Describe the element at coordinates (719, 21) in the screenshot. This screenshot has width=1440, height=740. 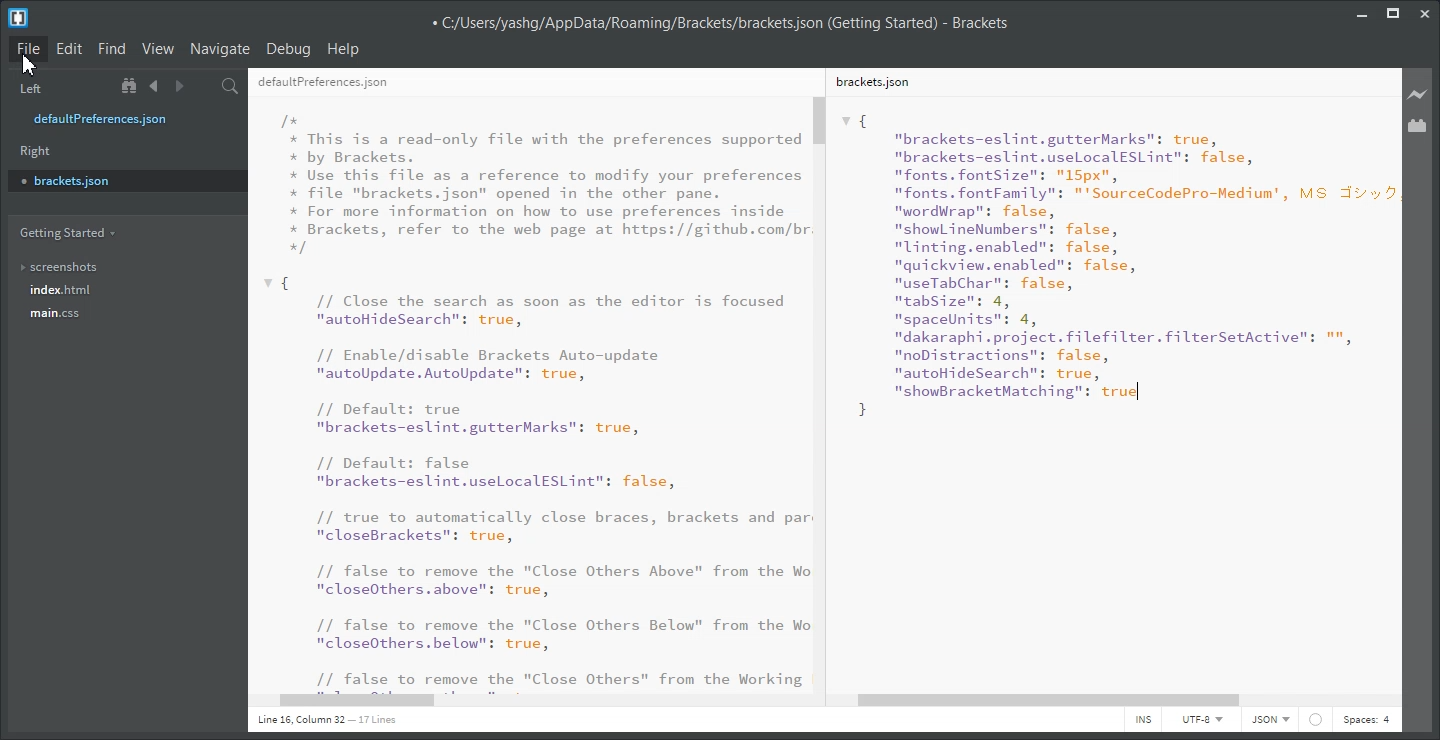
I see `C:/Users/yashg/AppData/Roaming/Brackets/brackets json (Getting Started) - Brackets` at that location.